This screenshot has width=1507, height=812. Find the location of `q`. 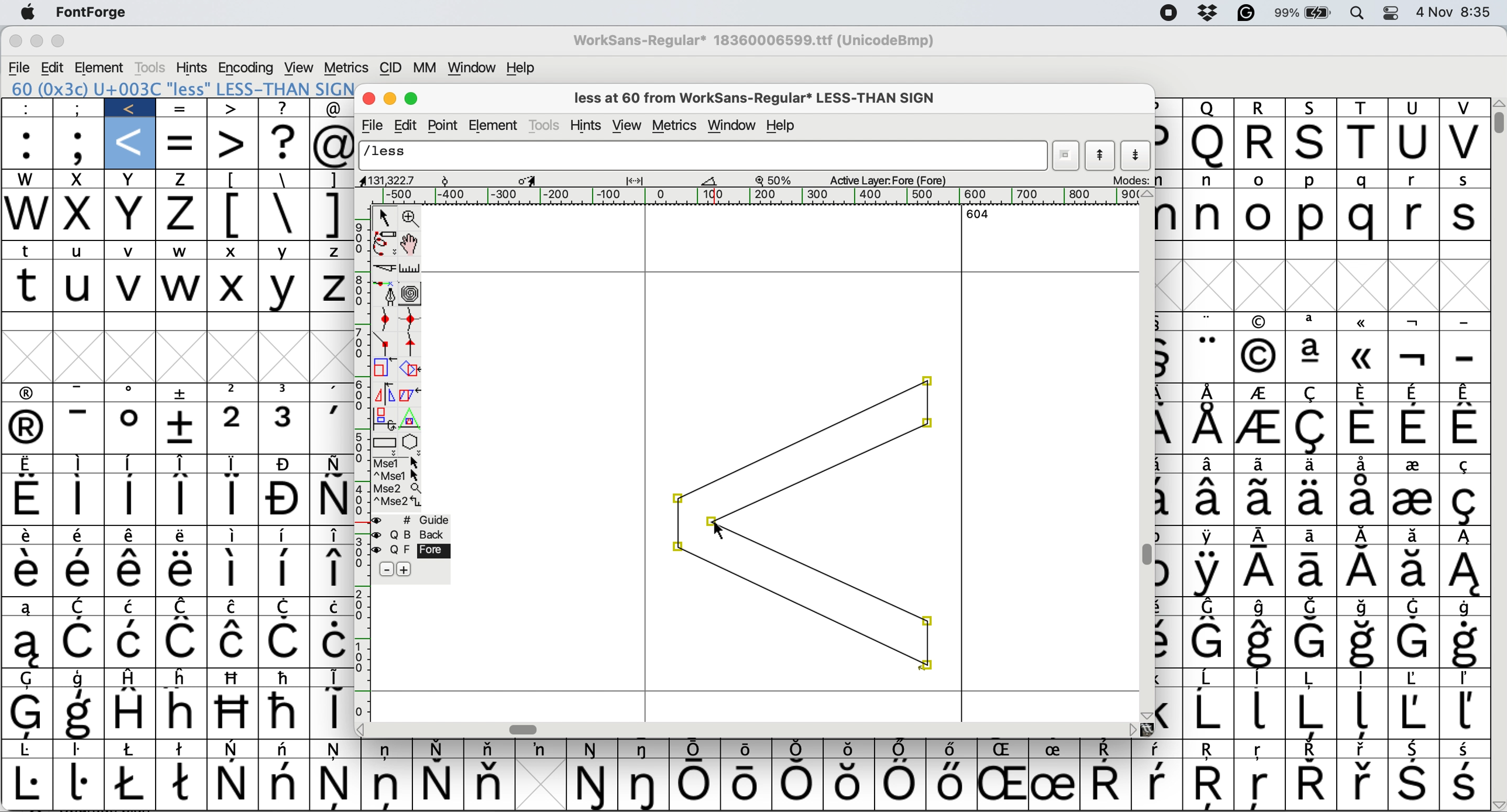

q is located at coordinates (1363, 180).